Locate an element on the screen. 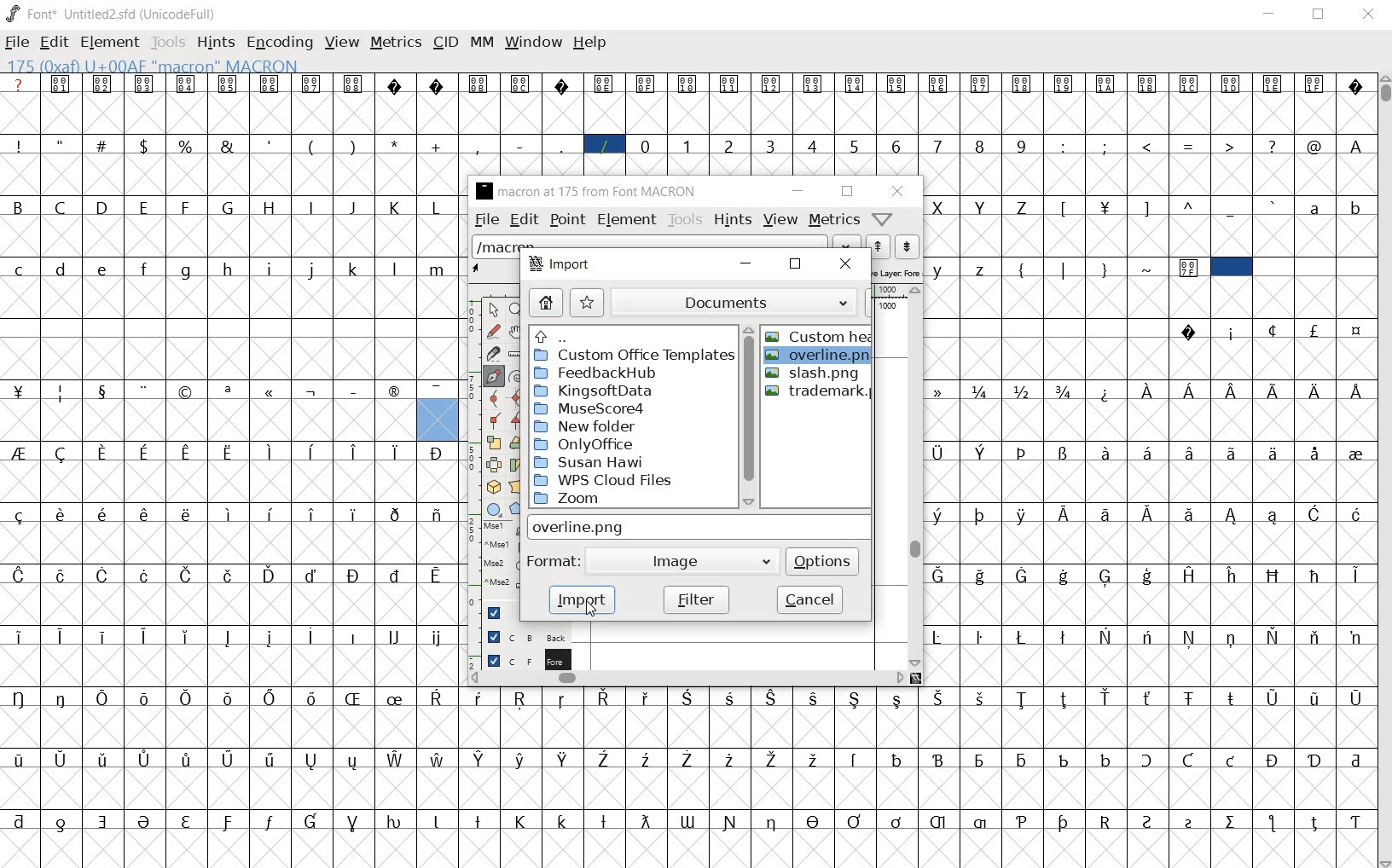 Image resolution: width=1392 pixels, height=868 pixels. Symbol is located at coordinates (395, 85).